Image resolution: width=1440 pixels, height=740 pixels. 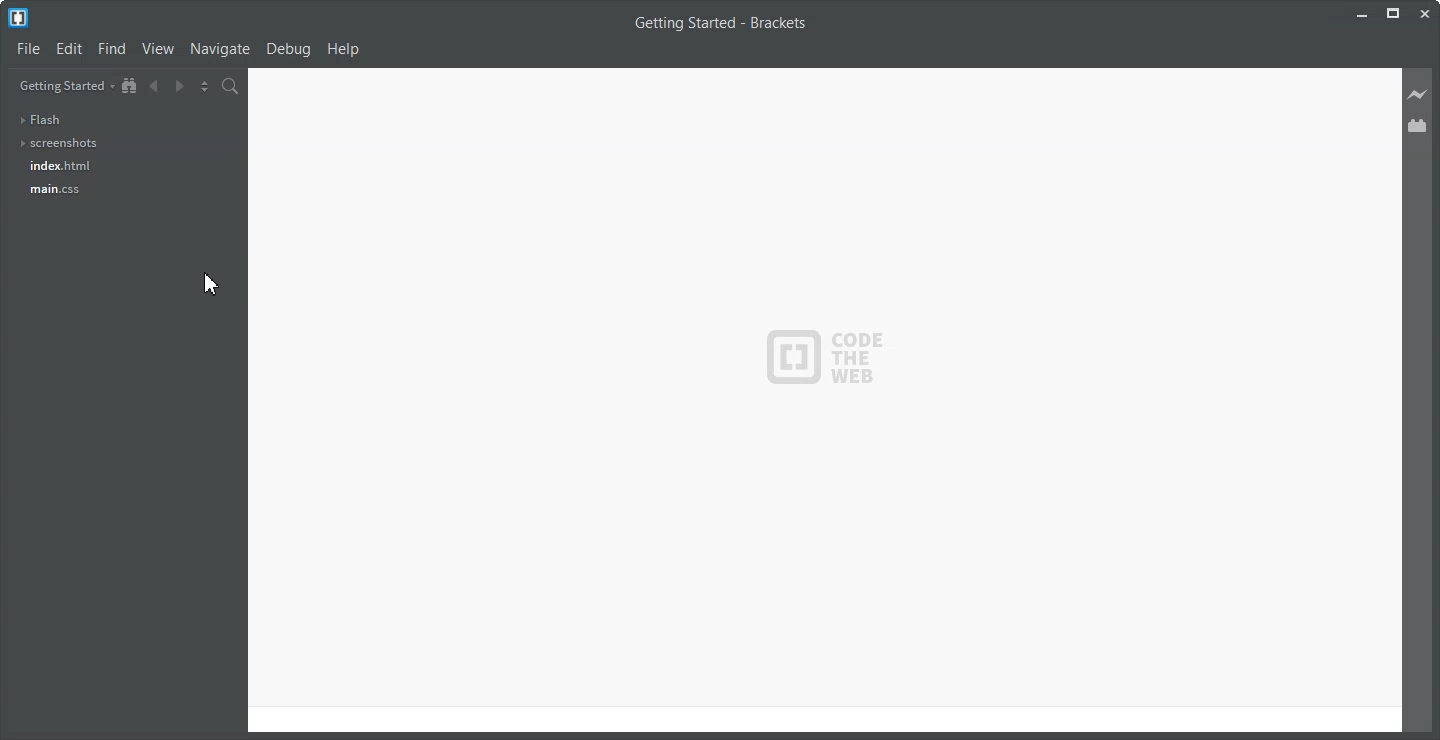 What do you see at coordinates (60, 165) in the screenshot?
I see `index.html` at bounding box center [60, 165].